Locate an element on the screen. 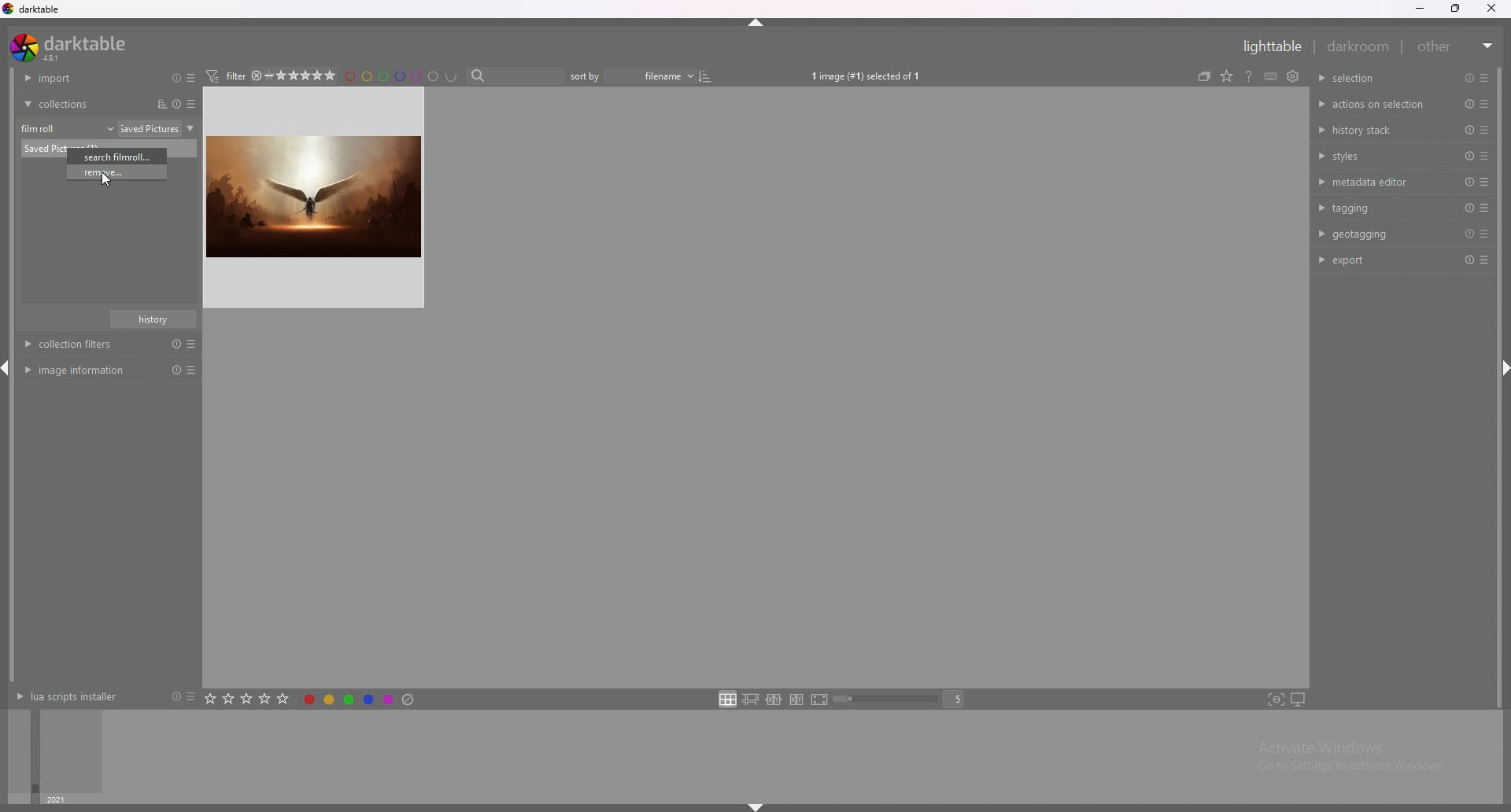 The height and width of the screenshot is (812, 1511). toggle focus peaking mode is located at coordinates (1276, 699).